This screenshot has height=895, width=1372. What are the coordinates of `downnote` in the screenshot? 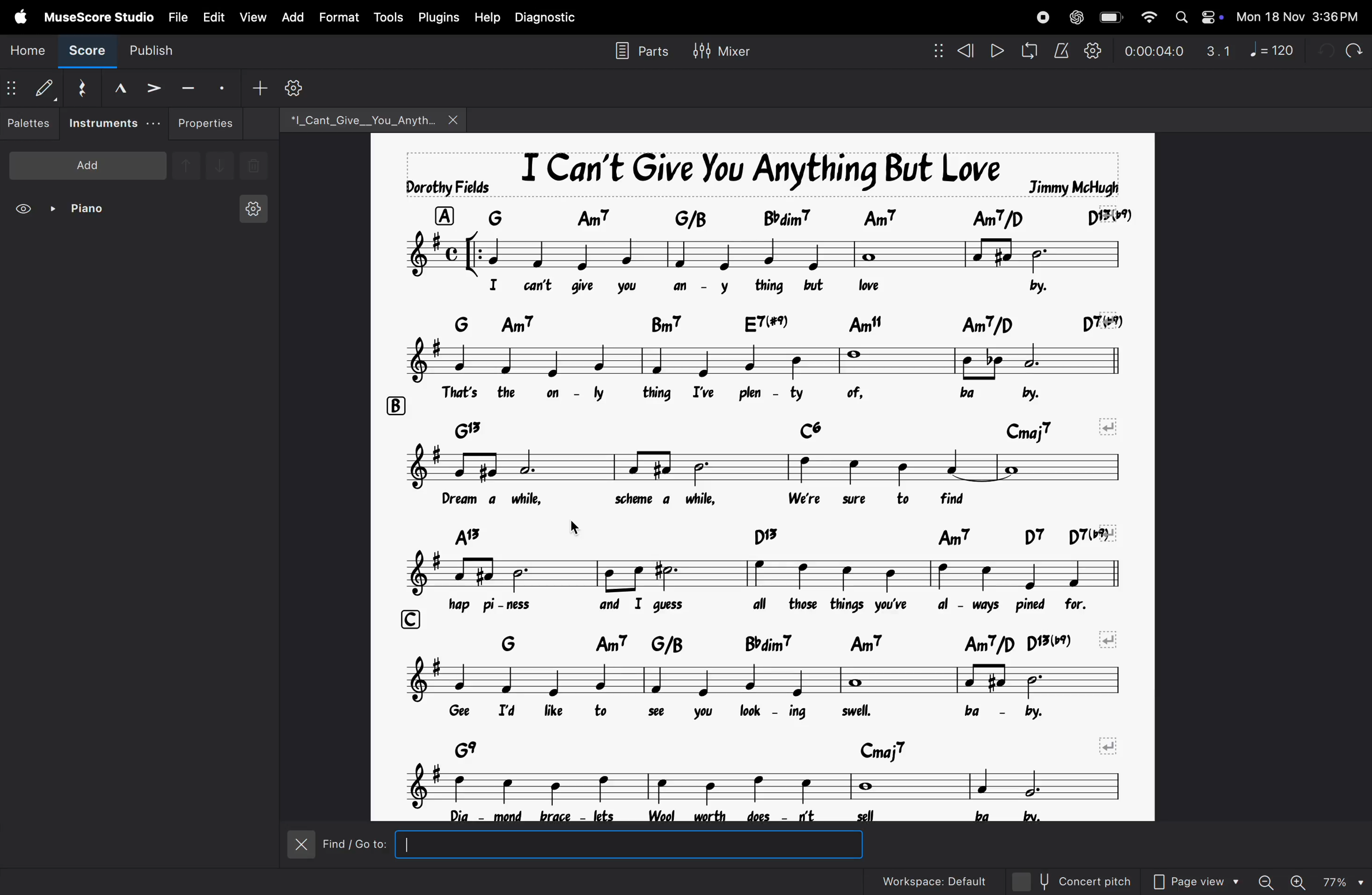 It's located at (218, 164).